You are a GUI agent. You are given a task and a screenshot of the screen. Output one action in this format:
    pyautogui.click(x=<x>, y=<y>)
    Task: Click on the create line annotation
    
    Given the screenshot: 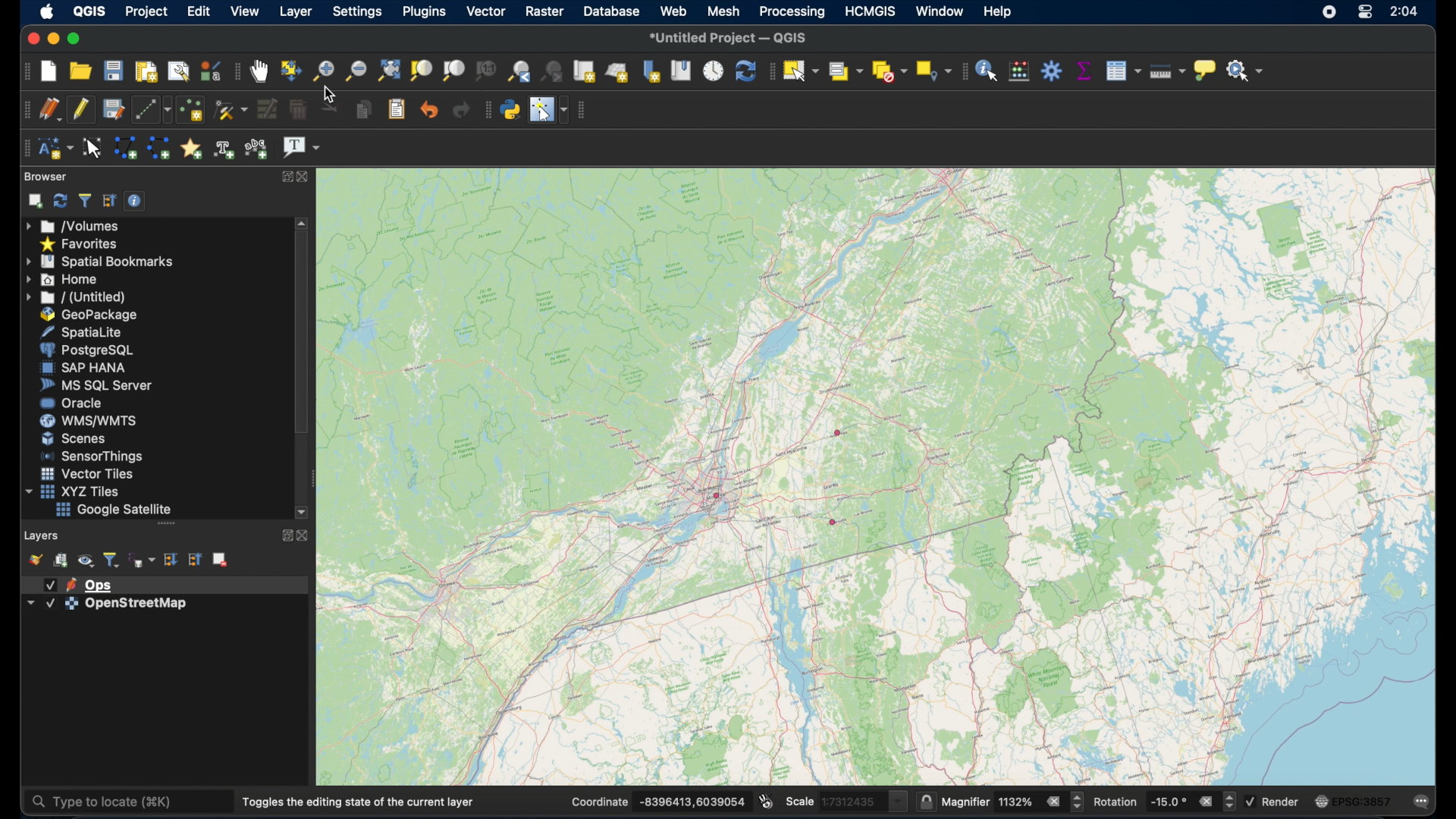 What is the action you would take?
    pyautogui.click(x=158, y=148)
    